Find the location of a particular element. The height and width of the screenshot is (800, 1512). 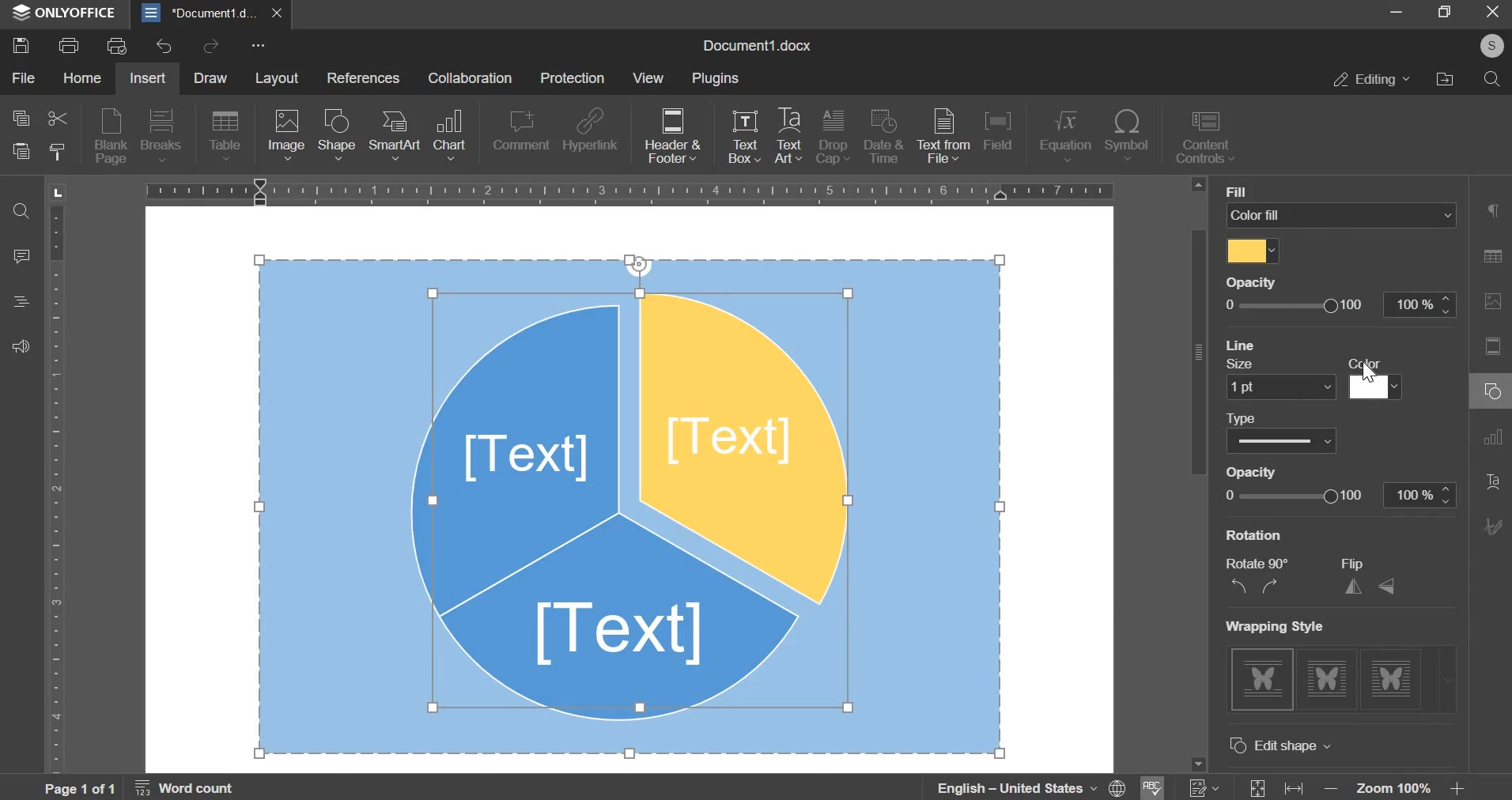

wrapping style is located at coordinates (1350, 681).